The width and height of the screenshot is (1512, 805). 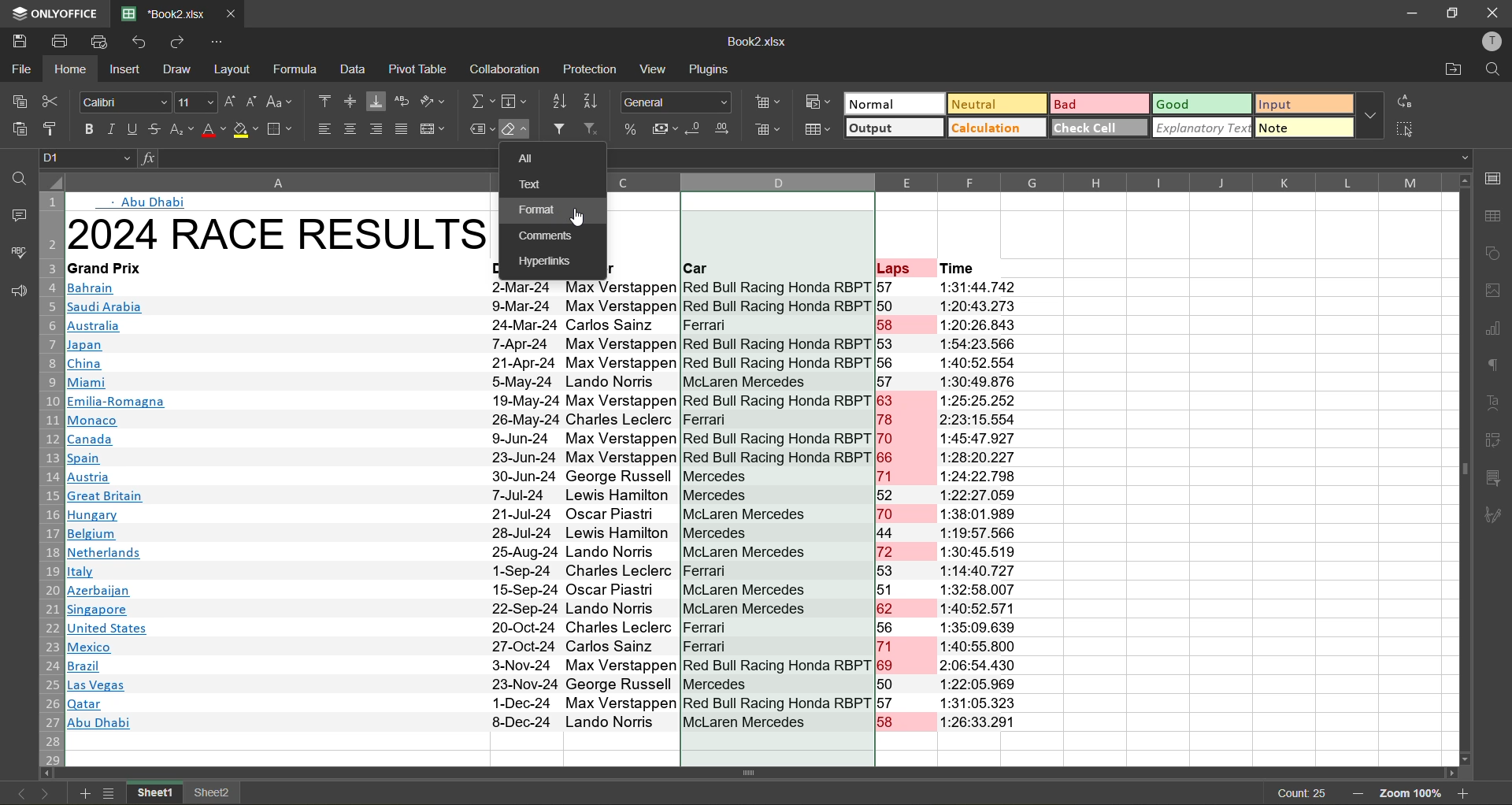 What do you see at coordinates (143, 159) in the screenshot?
I see `input formula` at bounding box center [143, 159].